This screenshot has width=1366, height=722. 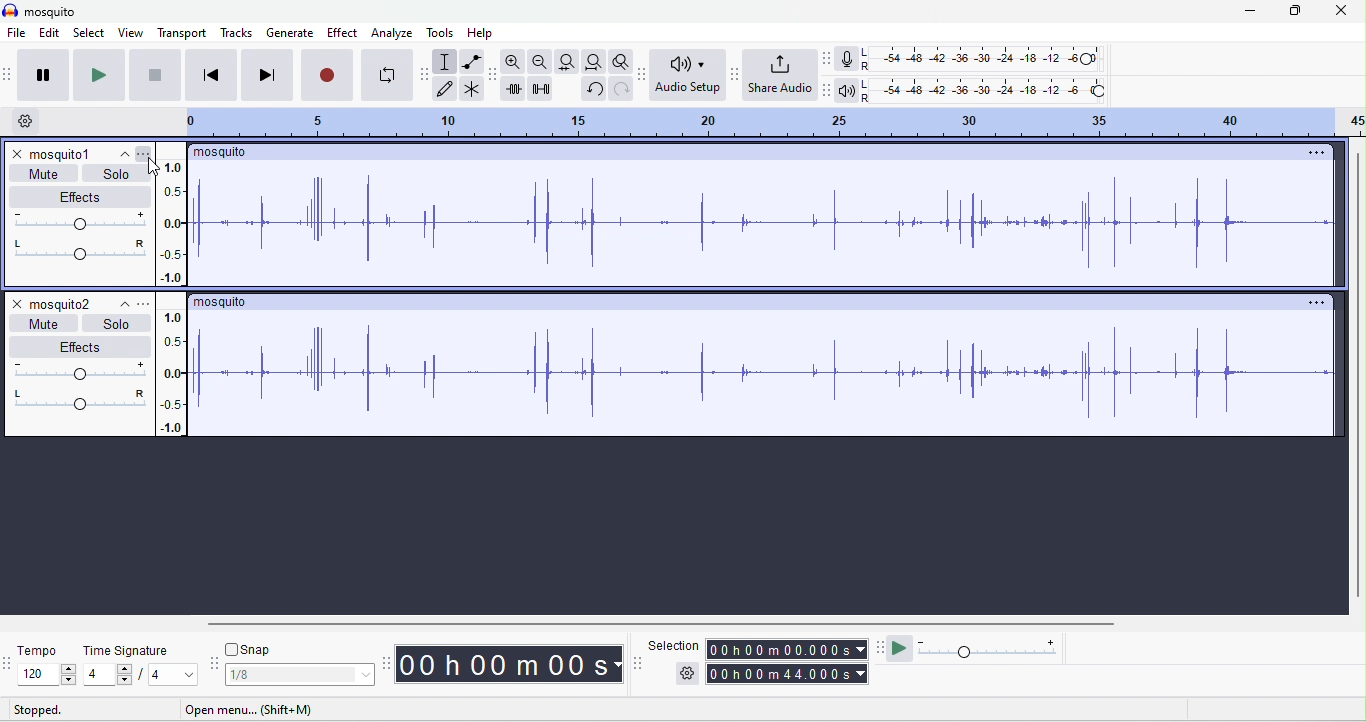 What do you see at coordinates (675, 644) in the screenshot?
I see `selection` at bounding box center [675, 644].